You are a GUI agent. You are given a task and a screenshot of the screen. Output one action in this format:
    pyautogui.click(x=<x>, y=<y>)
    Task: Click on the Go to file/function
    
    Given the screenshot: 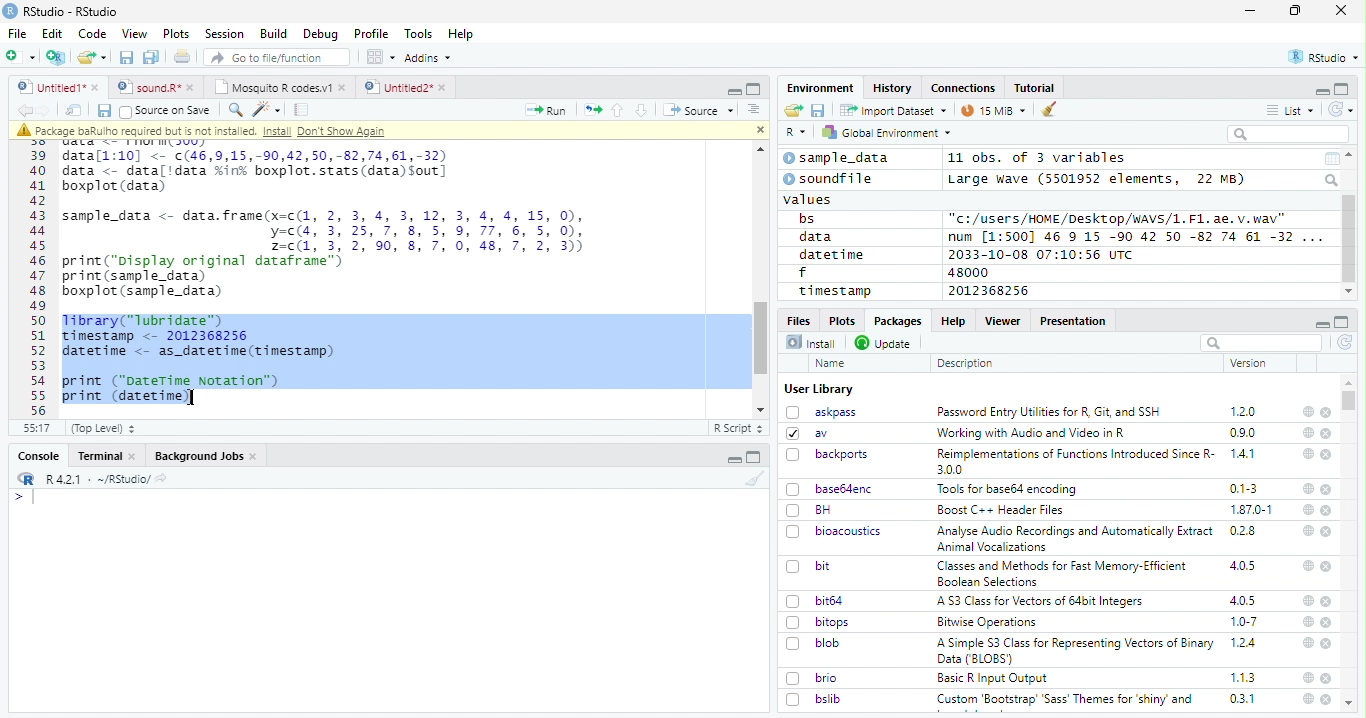 What is the action you would take?
    pyautogui.click(x=278, y=57)
    